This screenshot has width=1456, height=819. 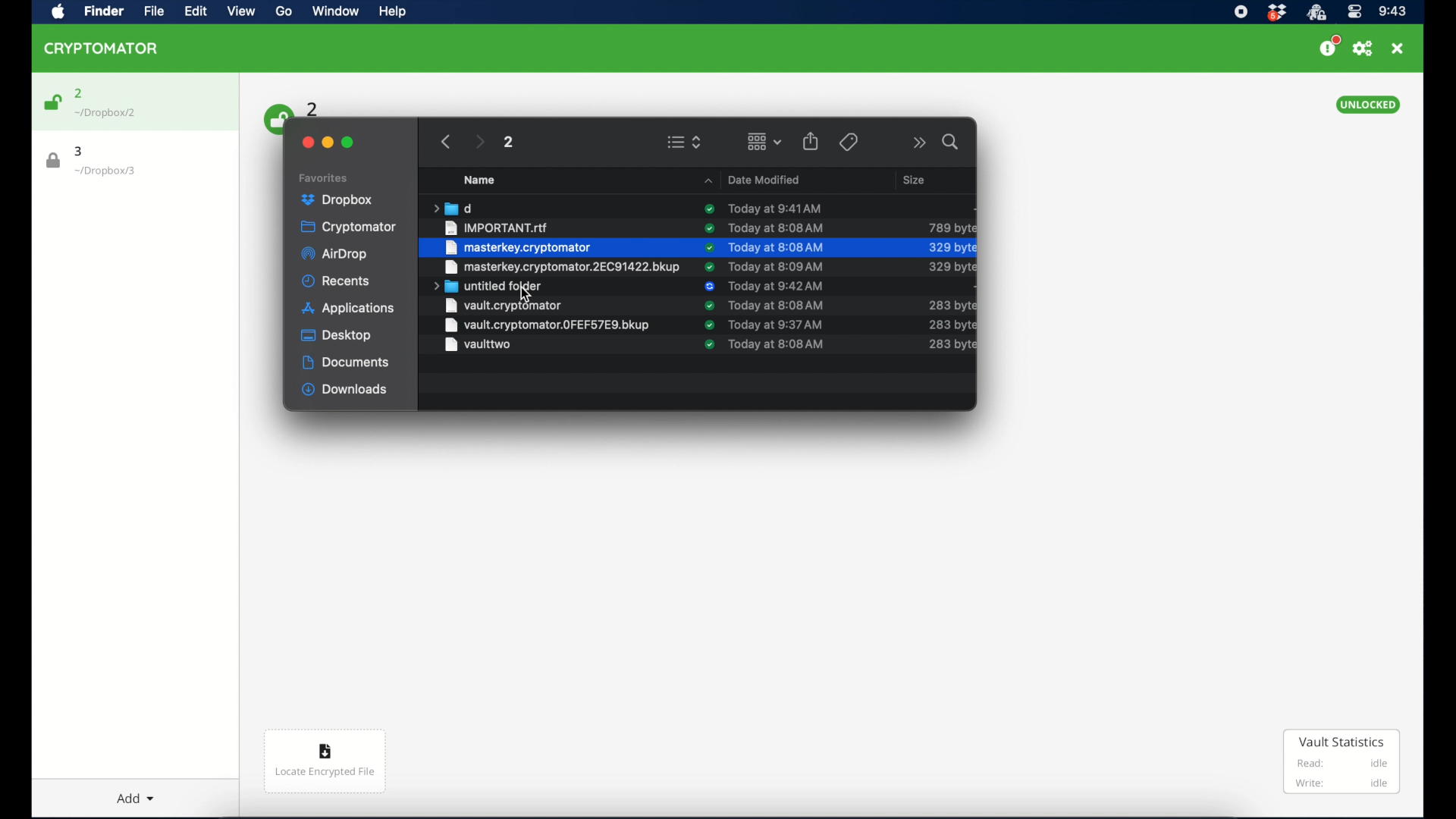 What do you see at coordinates (709, 209) in the screenshot?
I see `sync` at bounding box center [709, 209].